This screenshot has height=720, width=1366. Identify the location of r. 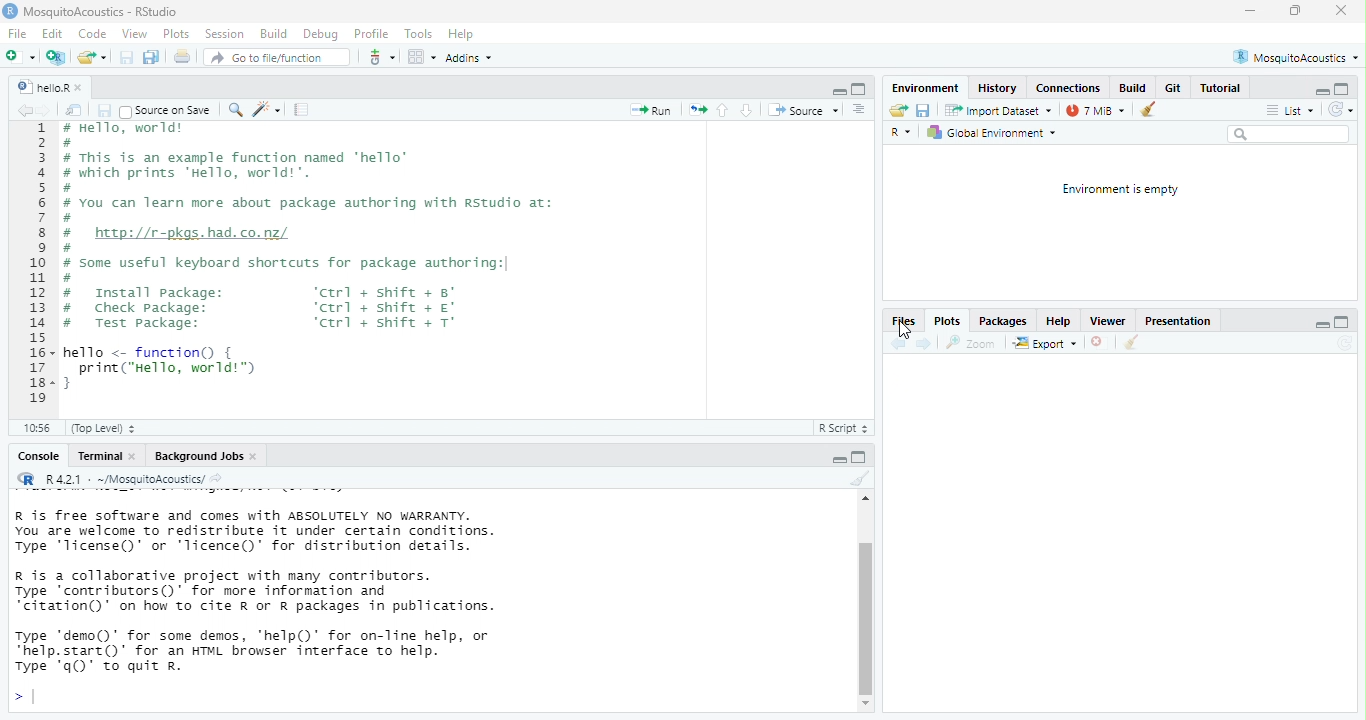
(905, 134).